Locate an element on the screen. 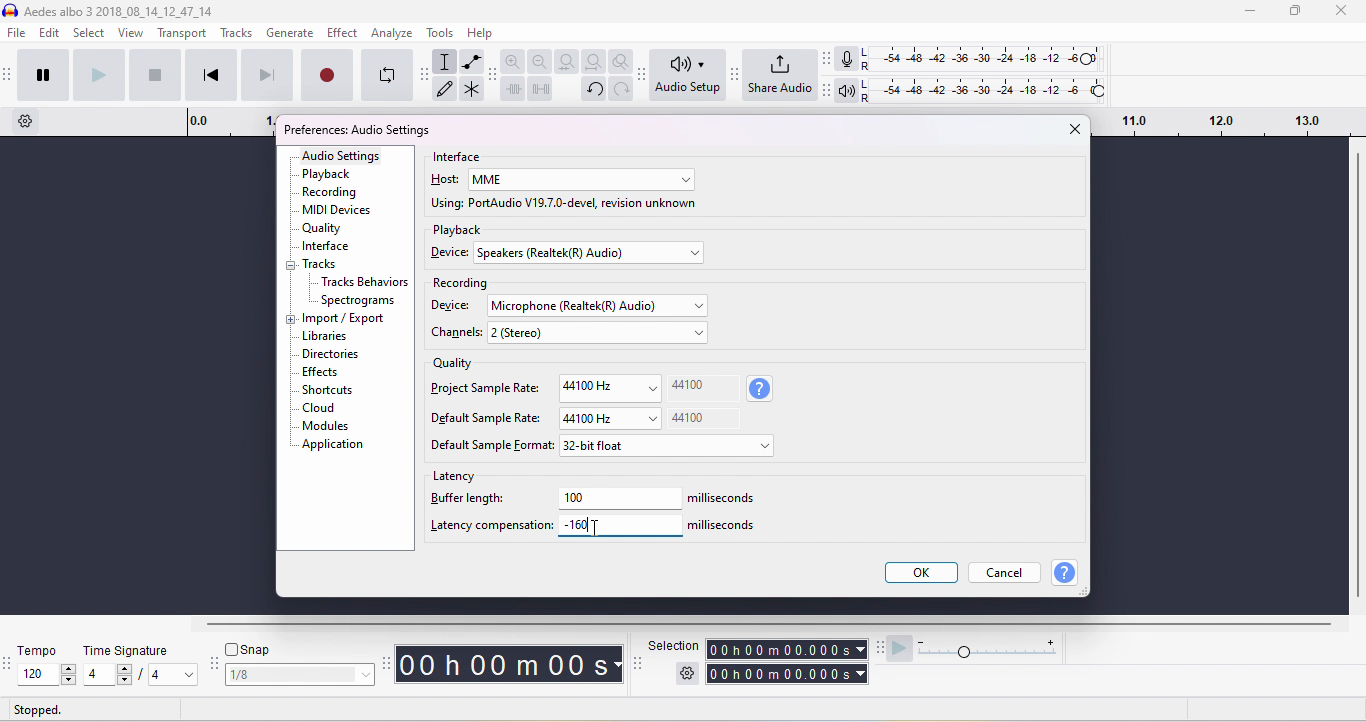  device is located at coordinates (451, 305).